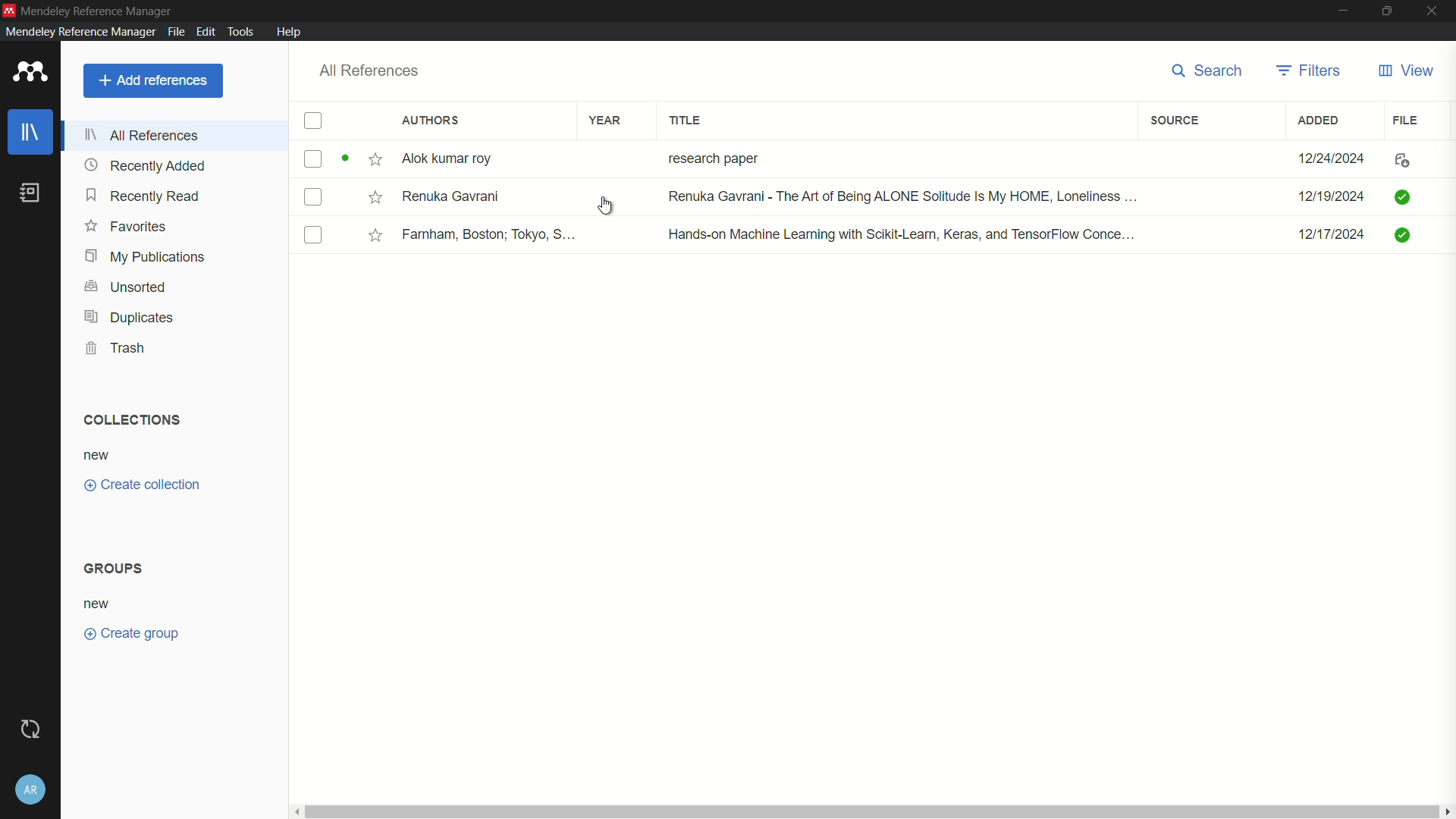  I want to click on my publications, so click(149, 257).